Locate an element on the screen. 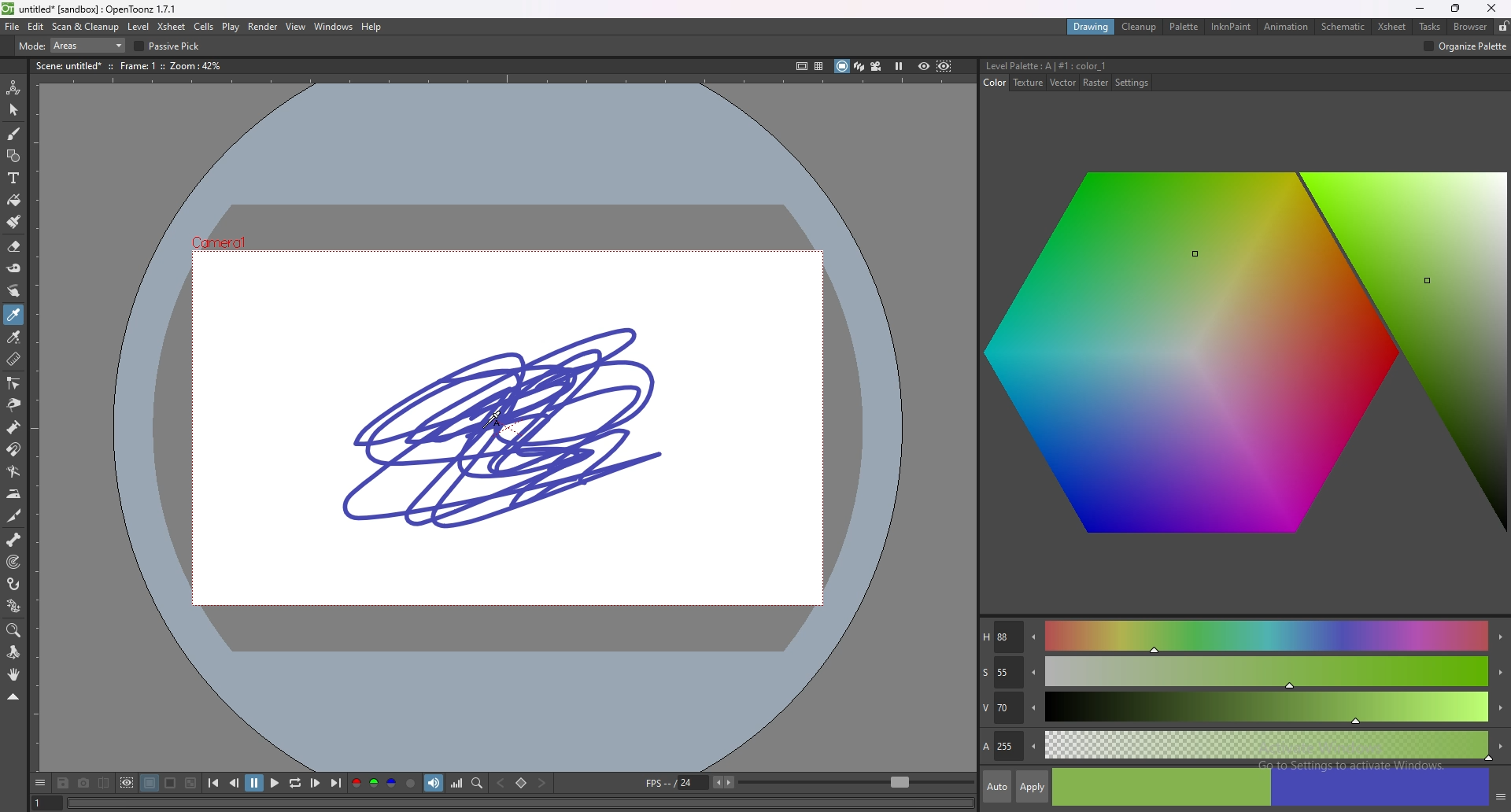 This screenshot has height=812, width=1511. zoom is located at coordinates (856, 783).